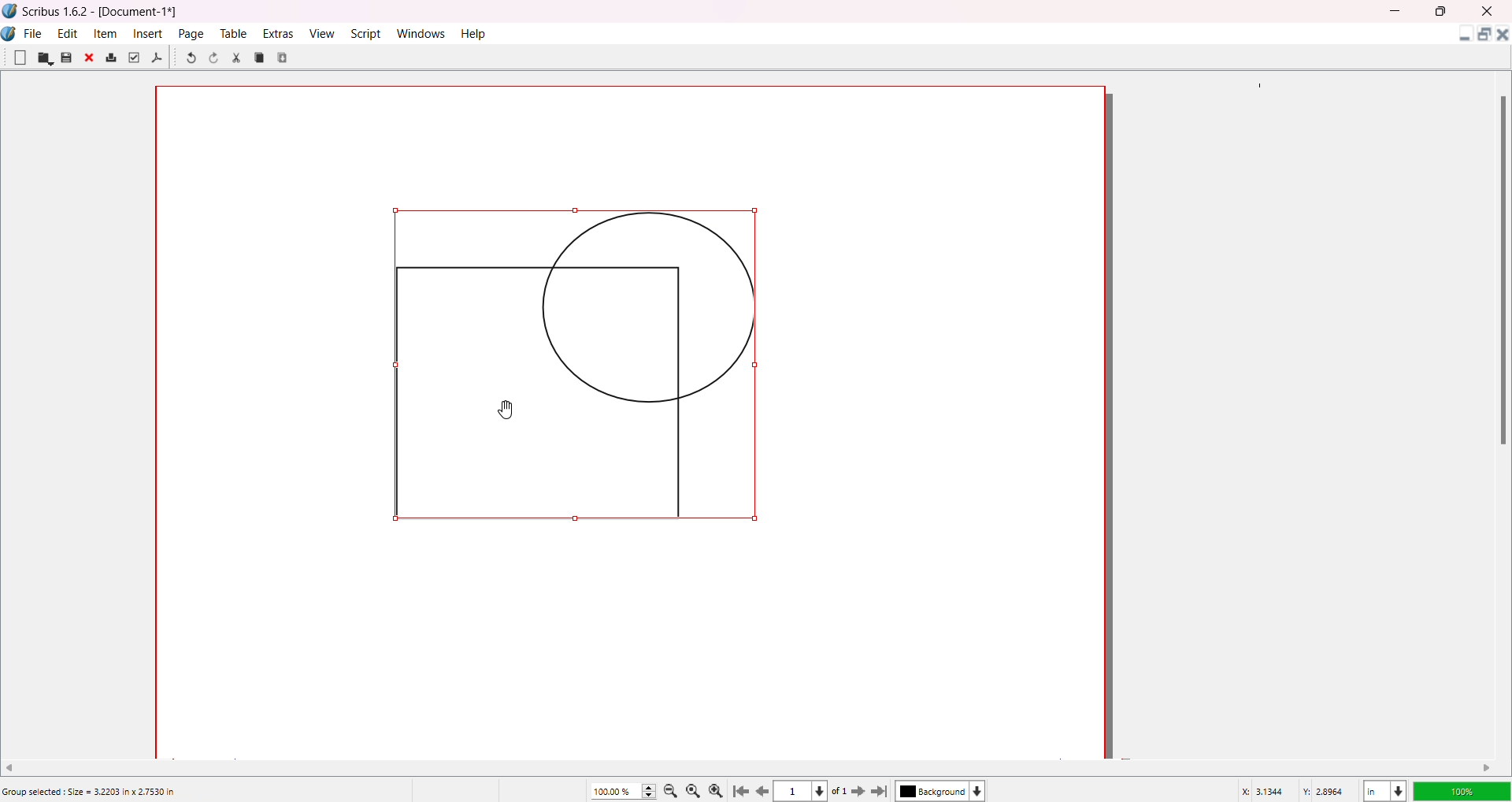 Image resolution: width=1512 pixels, height=802 pixels. I want to click on Page, so click(192, 33).